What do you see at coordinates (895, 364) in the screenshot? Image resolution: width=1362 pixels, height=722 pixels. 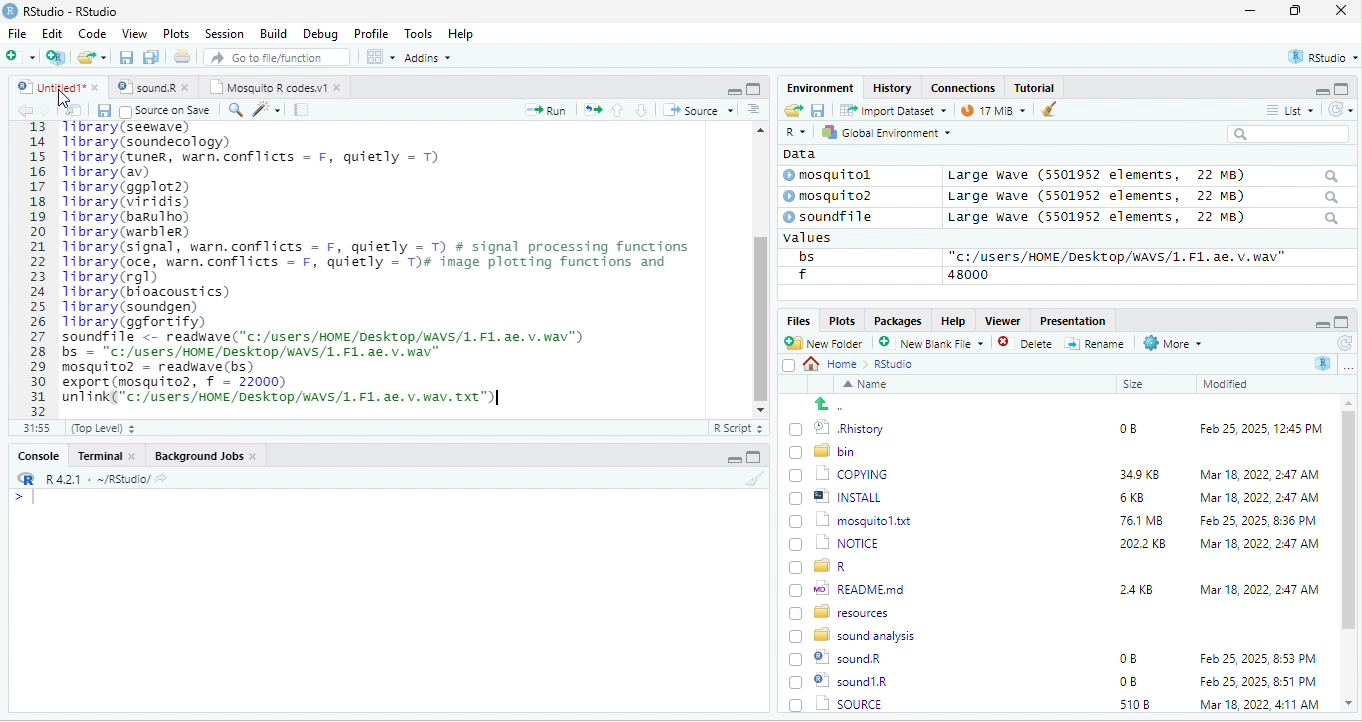 I see `Rstudio` at bounding box center [895, 364].